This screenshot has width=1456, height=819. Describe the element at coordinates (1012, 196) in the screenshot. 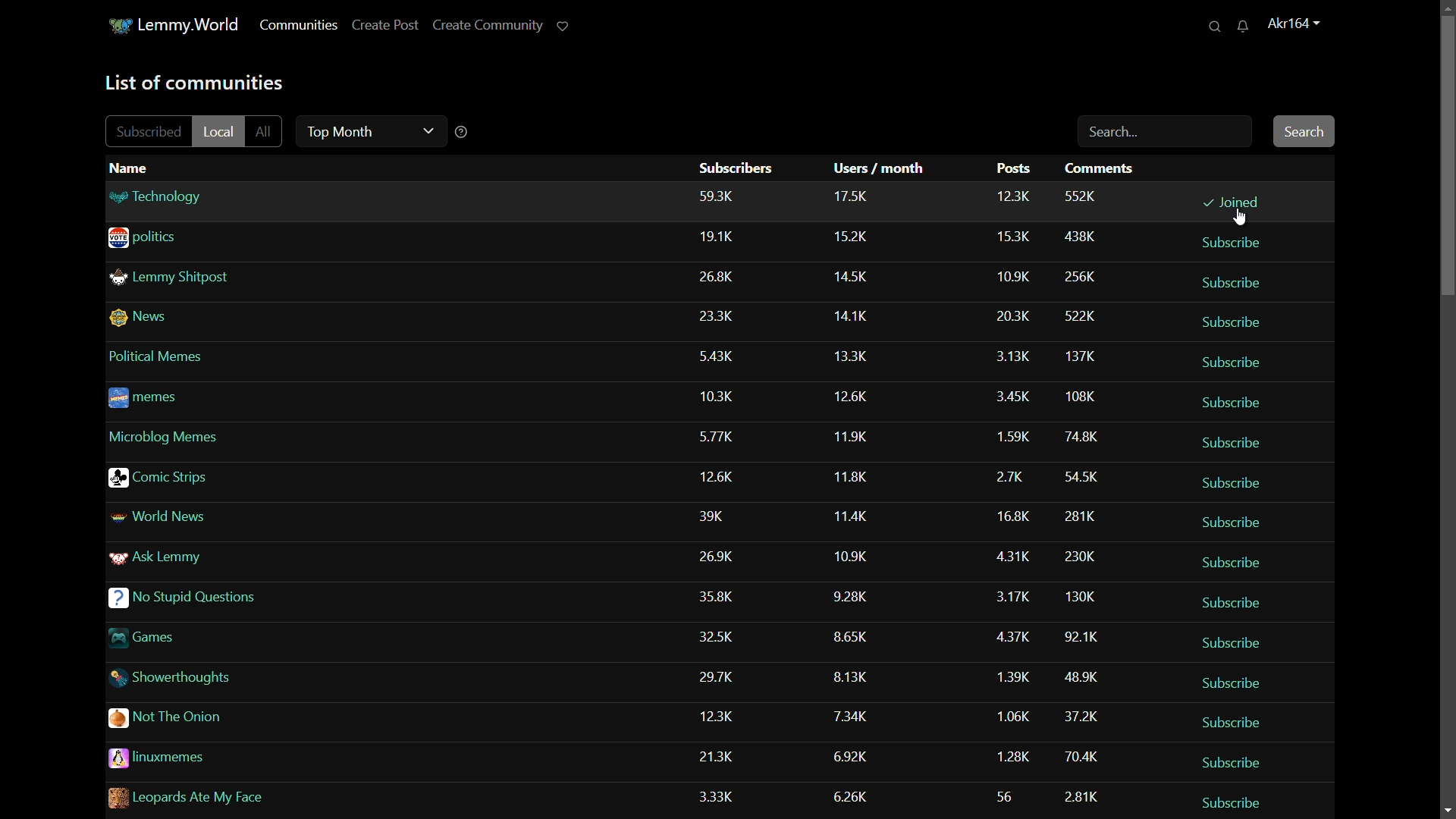

I see `posts` at that location.